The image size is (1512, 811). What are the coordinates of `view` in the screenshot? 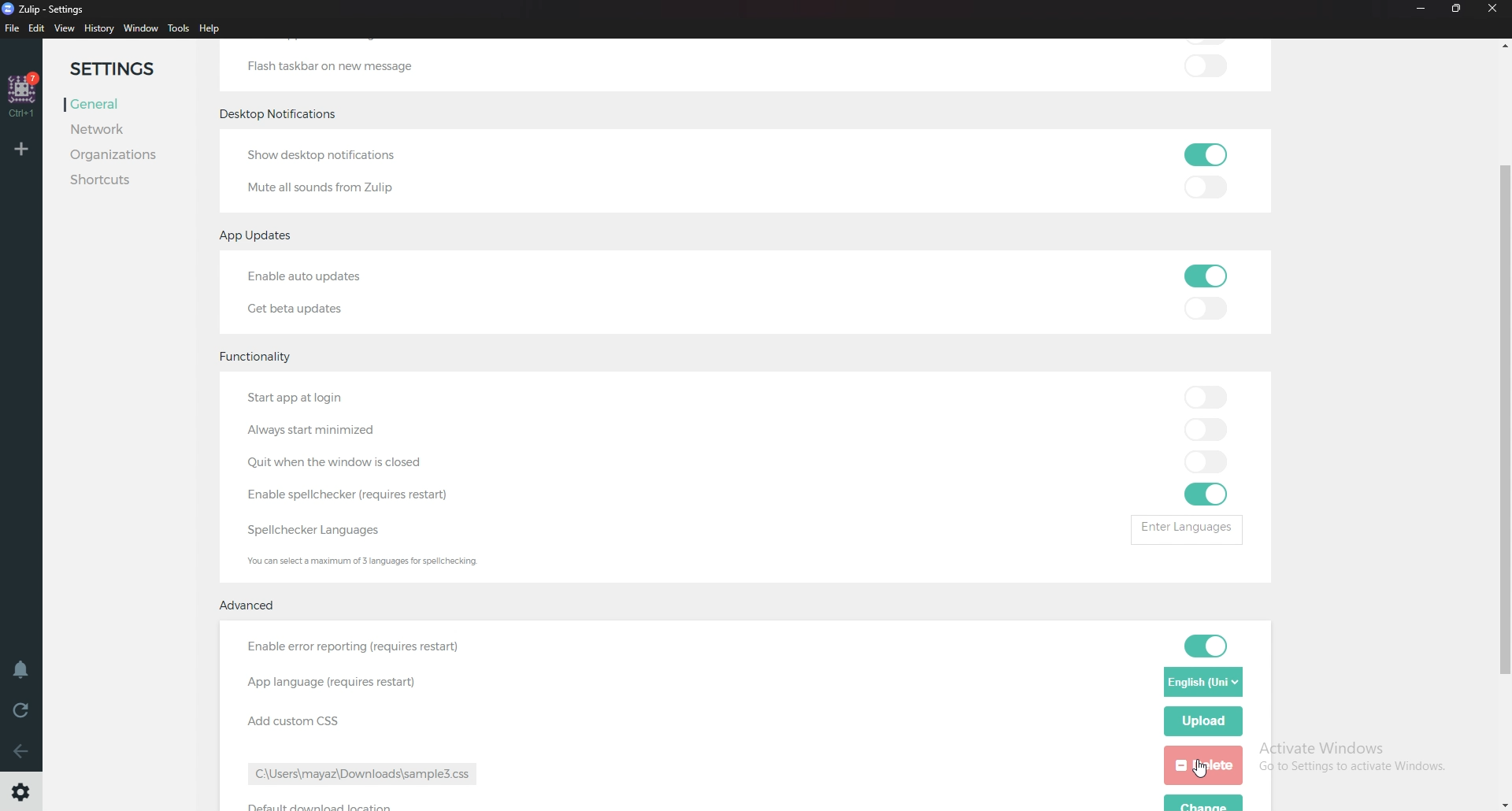 It's located at (65, 29).